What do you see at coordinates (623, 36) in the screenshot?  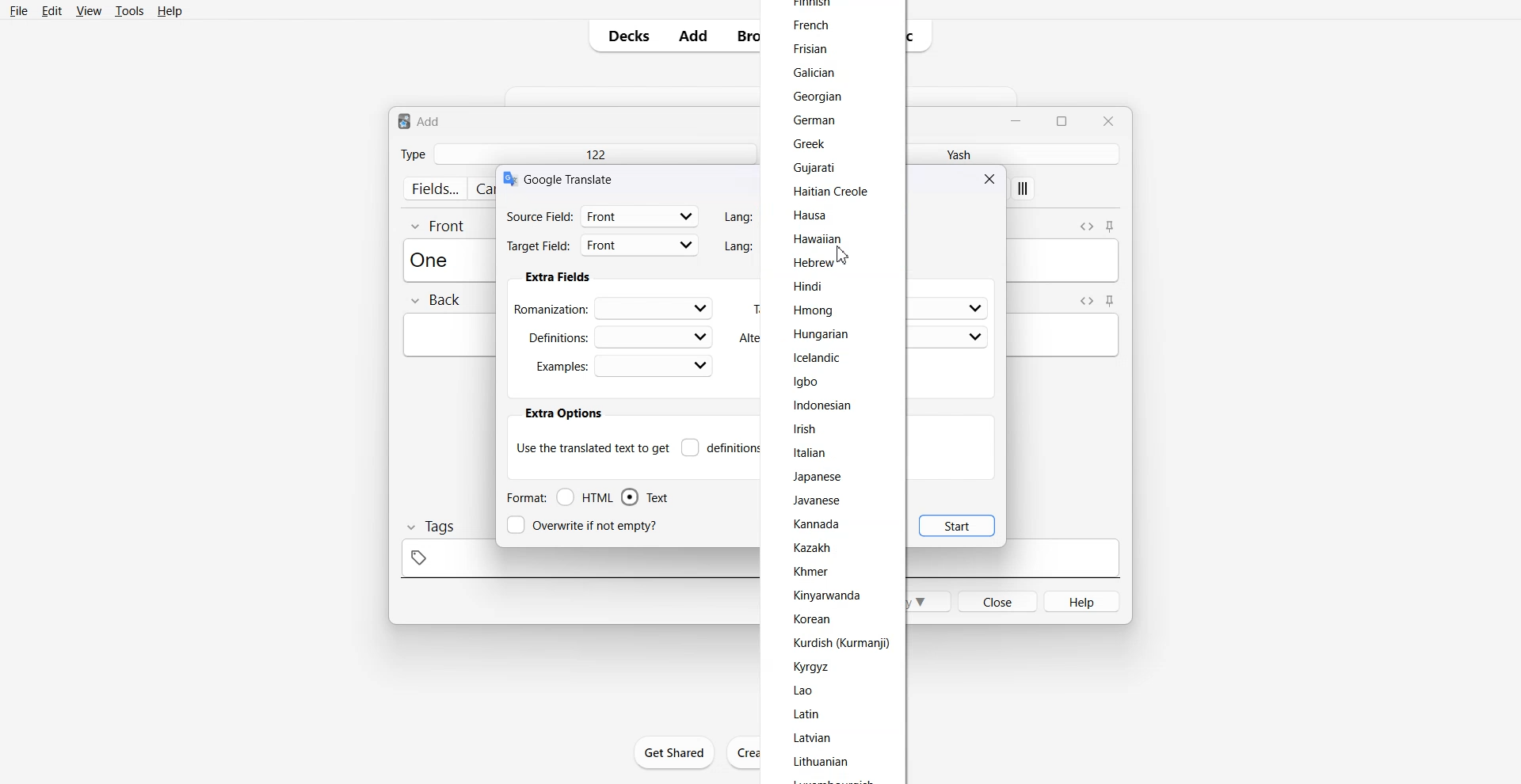 I see `Decks` at bounding box center [623, 36].